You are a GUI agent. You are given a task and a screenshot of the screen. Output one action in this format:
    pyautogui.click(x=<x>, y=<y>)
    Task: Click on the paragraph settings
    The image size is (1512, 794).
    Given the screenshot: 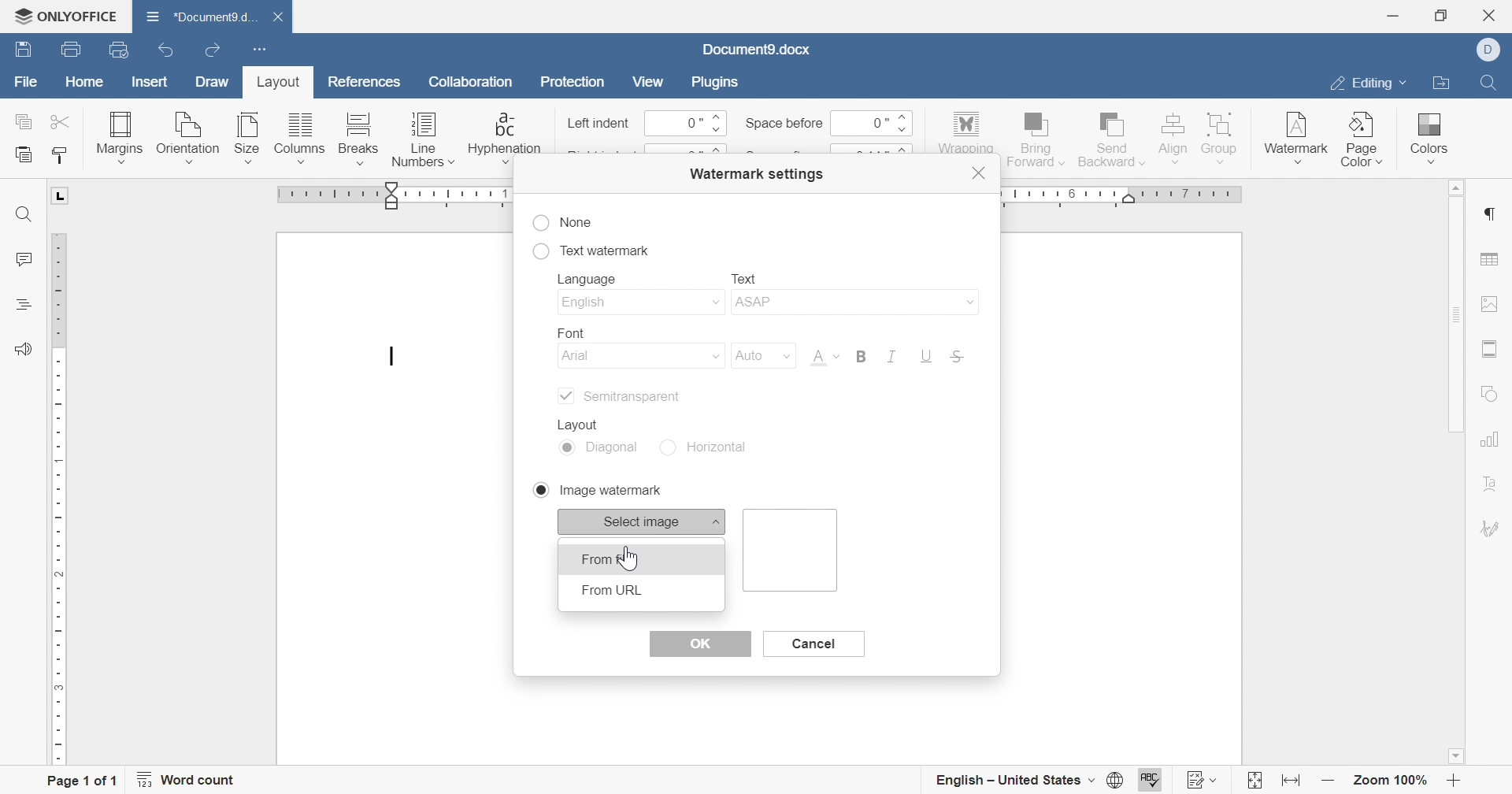 What is the action you would take?
    pyautogui.click(x=1488, y=214)
    